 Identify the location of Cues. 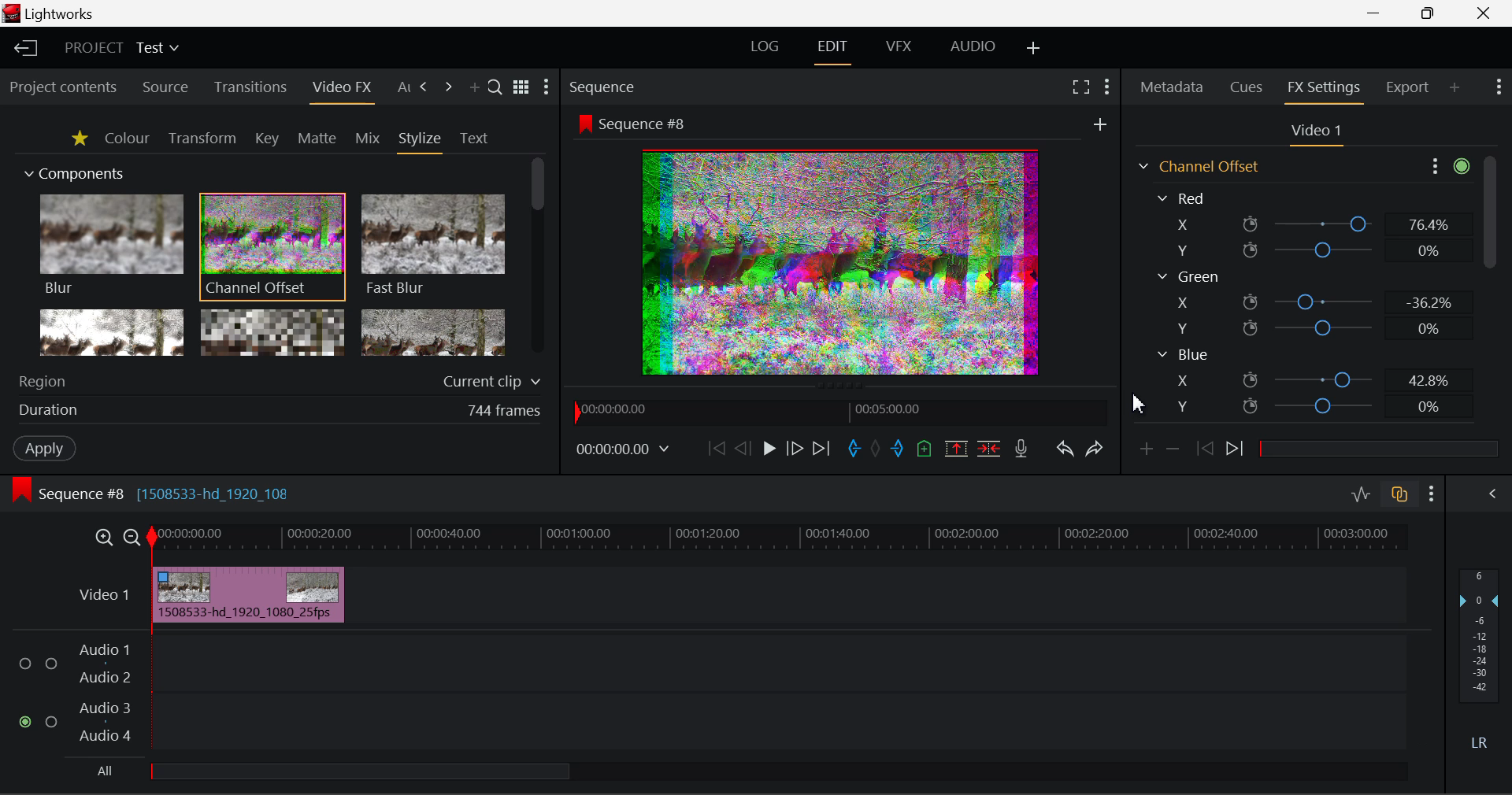
(1246, 87).